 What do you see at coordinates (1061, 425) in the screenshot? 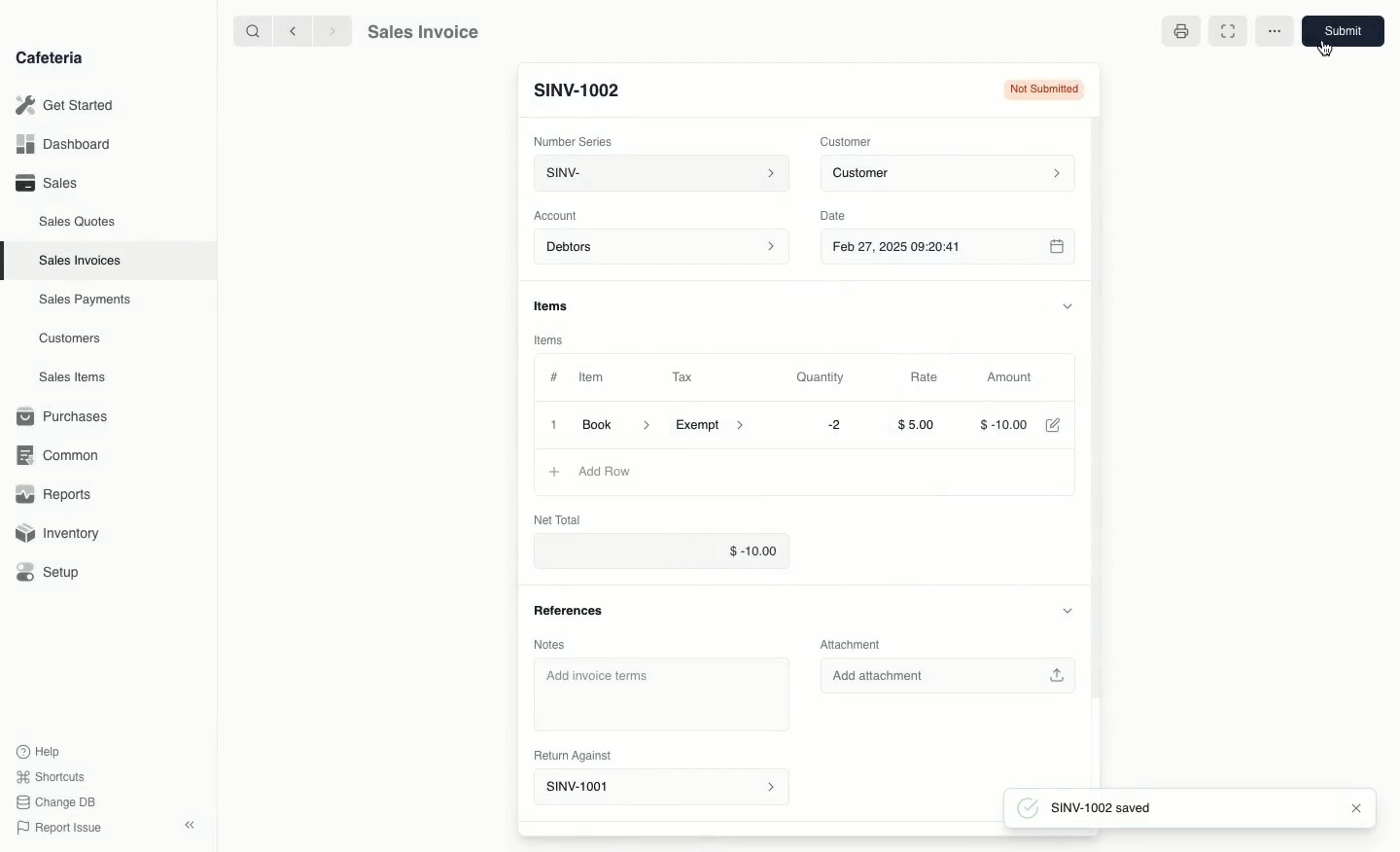
I see `Edit` at bounding box center [1061, 425].